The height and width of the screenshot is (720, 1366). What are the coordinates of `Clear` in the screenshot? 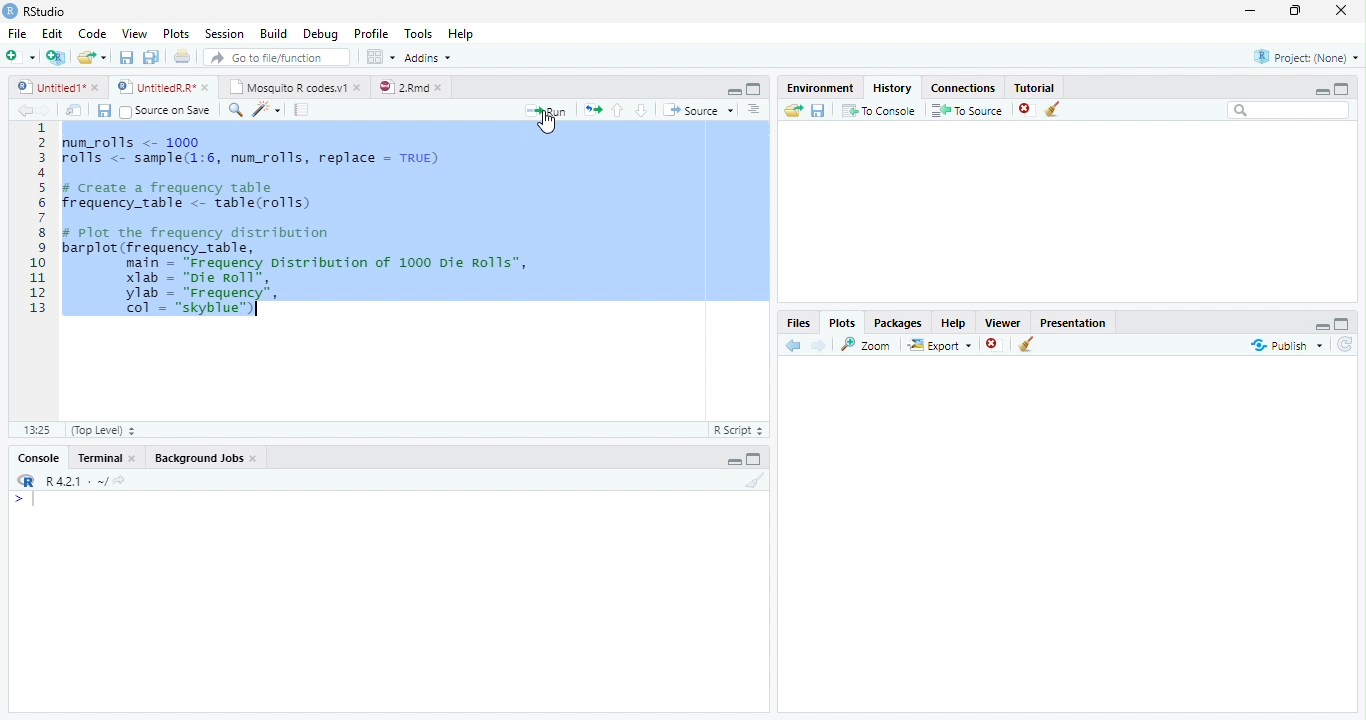 It's located at (754, 480).